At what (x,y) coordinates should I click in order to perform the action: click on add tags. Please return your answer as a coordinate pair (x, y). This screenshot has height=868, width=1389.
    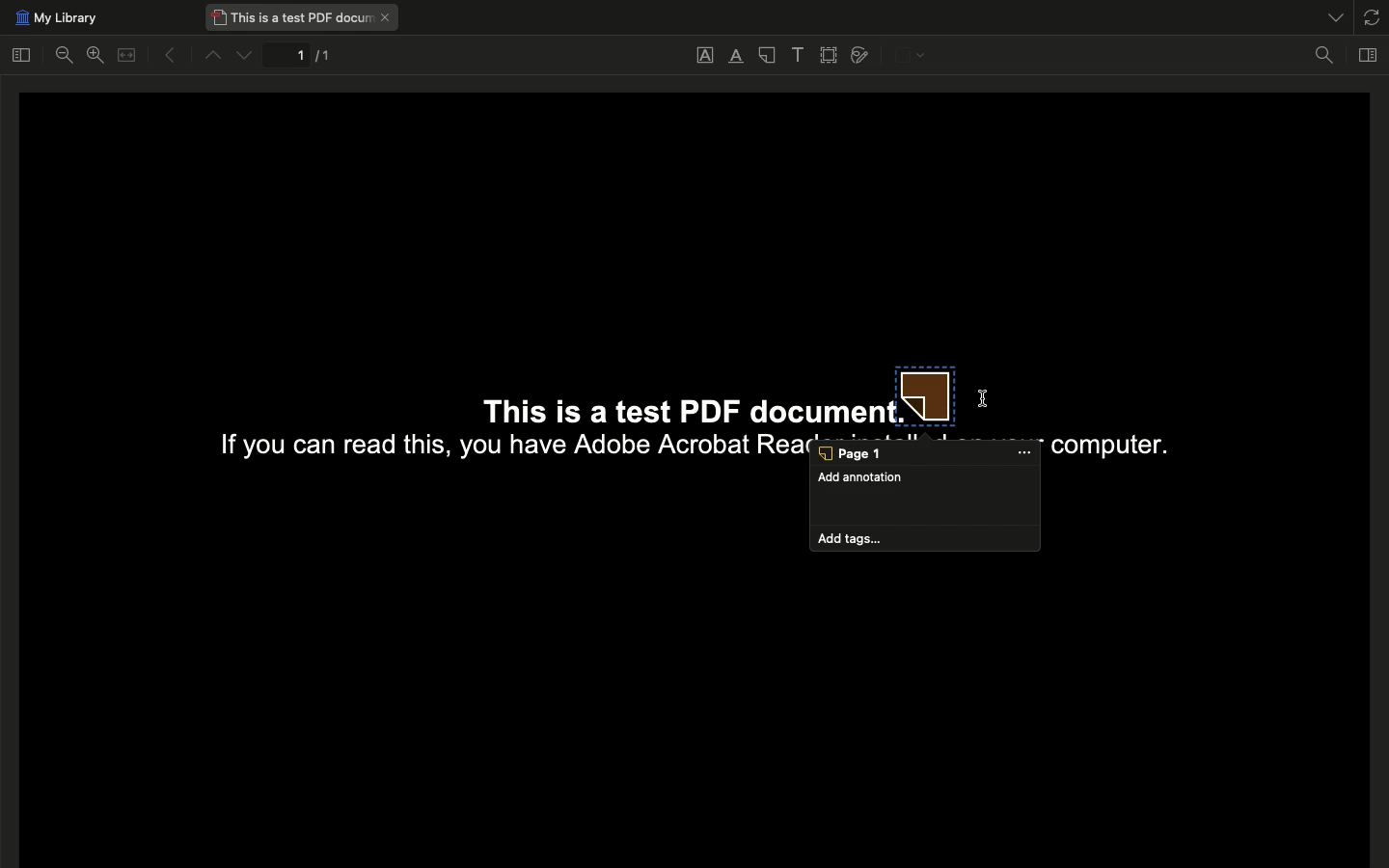
    Looking at the image, I should click on (915, 540).